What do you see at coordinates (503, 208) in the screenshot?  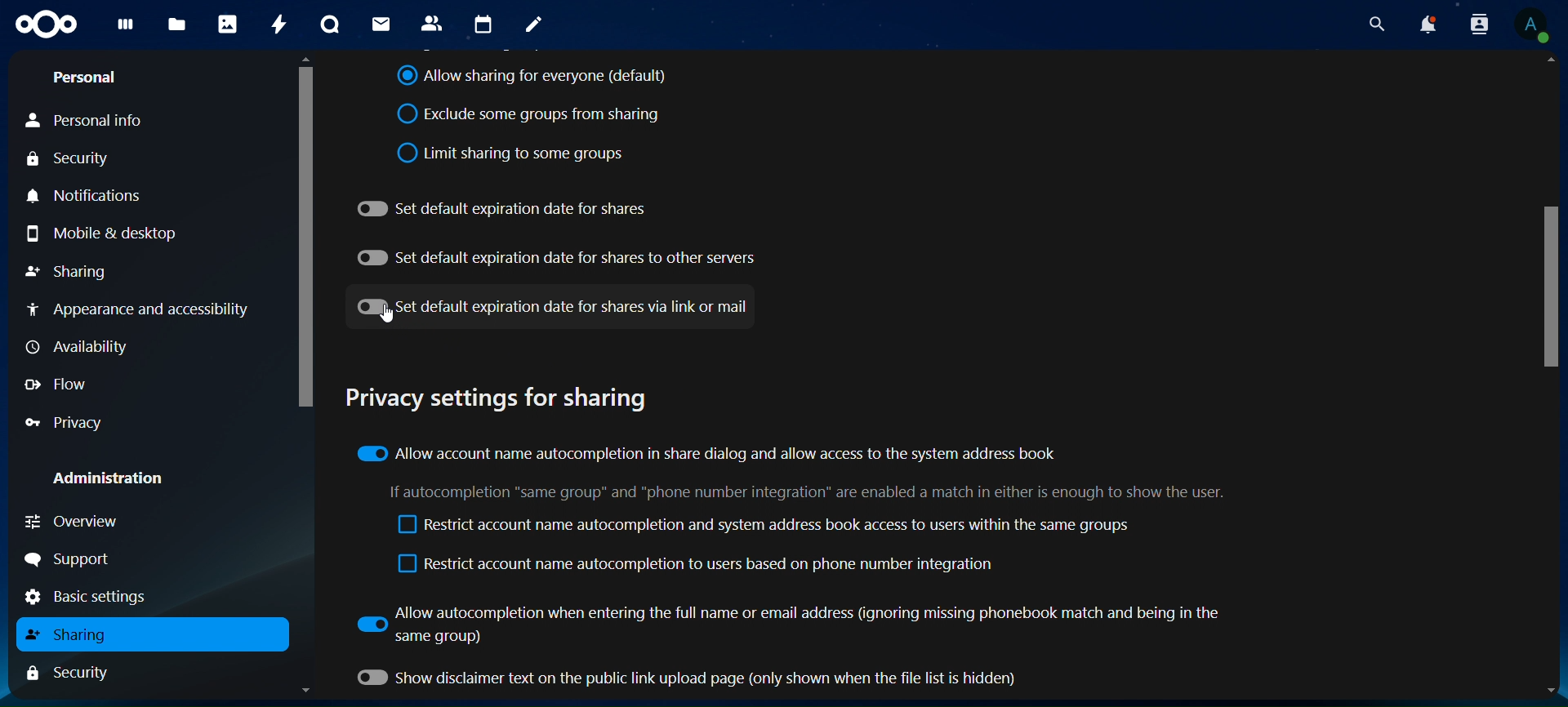 I see `set default expiration date for shares` at bounding box center [503, 208].